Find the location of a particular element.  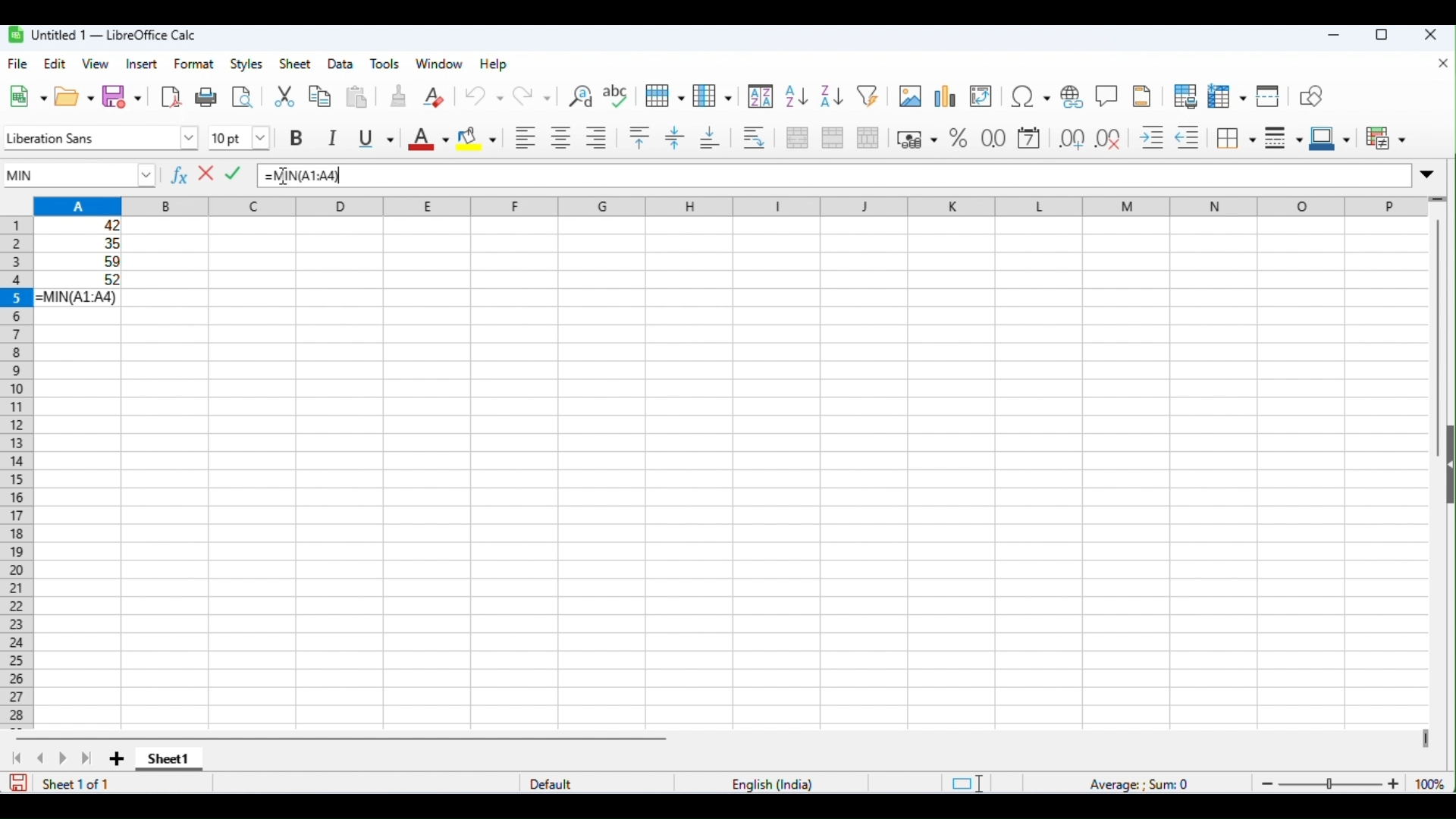

drag to view rows is located at coordinates (1438, 197).